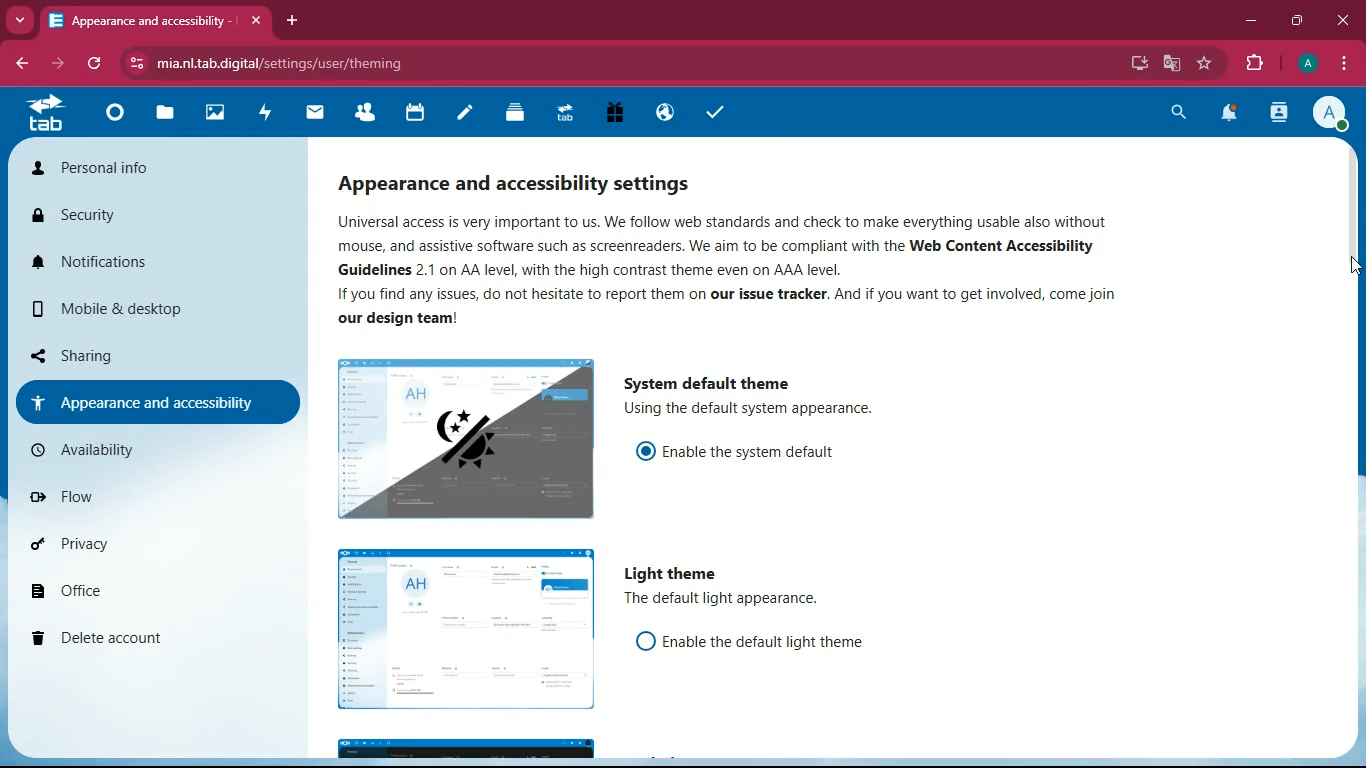 This screenshot has height=768, width=1366. What do you see at coordinates (464, 440) in the screenshot?
I see `image` at bounding box center [464, 440].